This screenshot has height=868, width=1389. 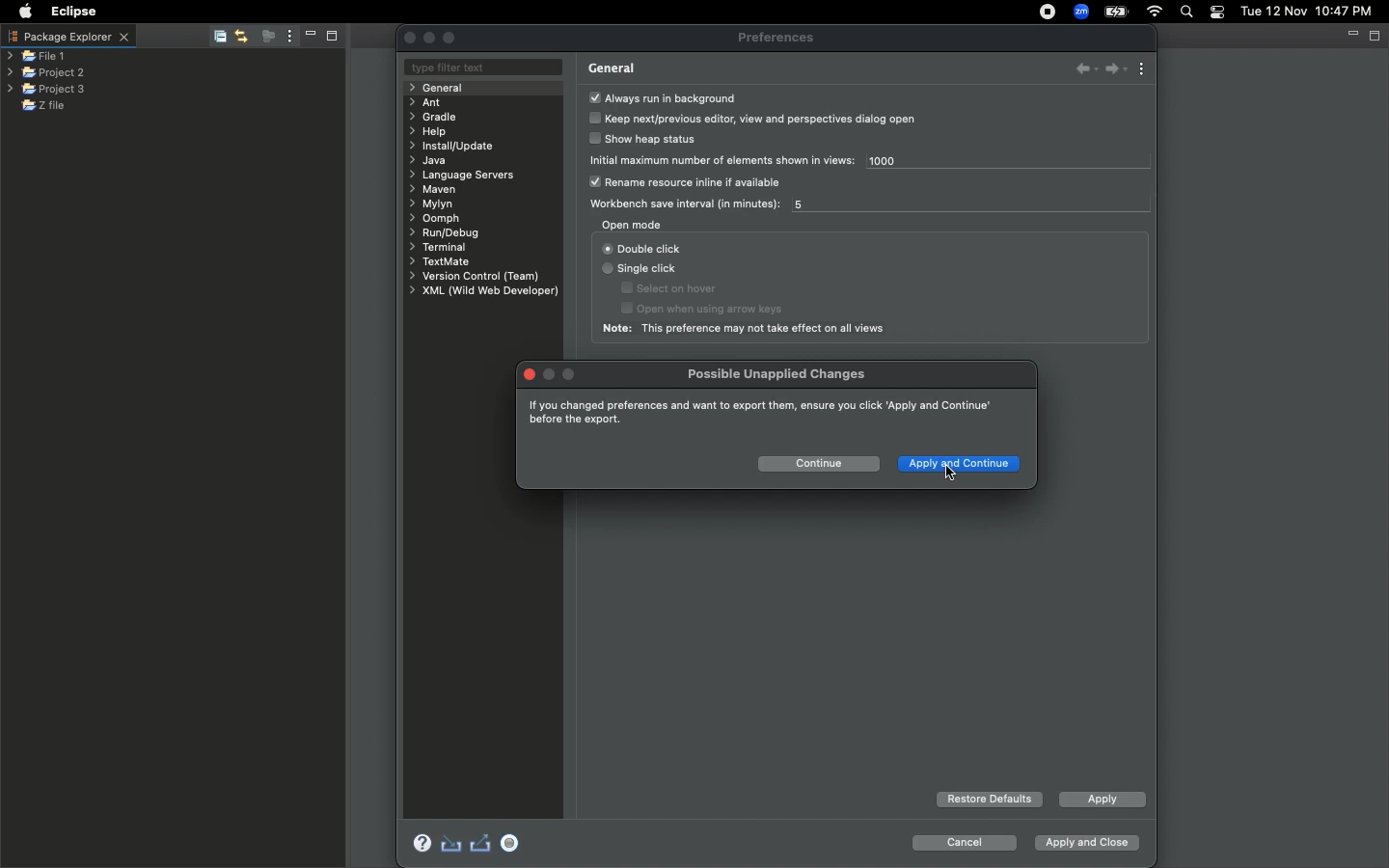 I want to click on Maximize, so click(x=1376, y=37).